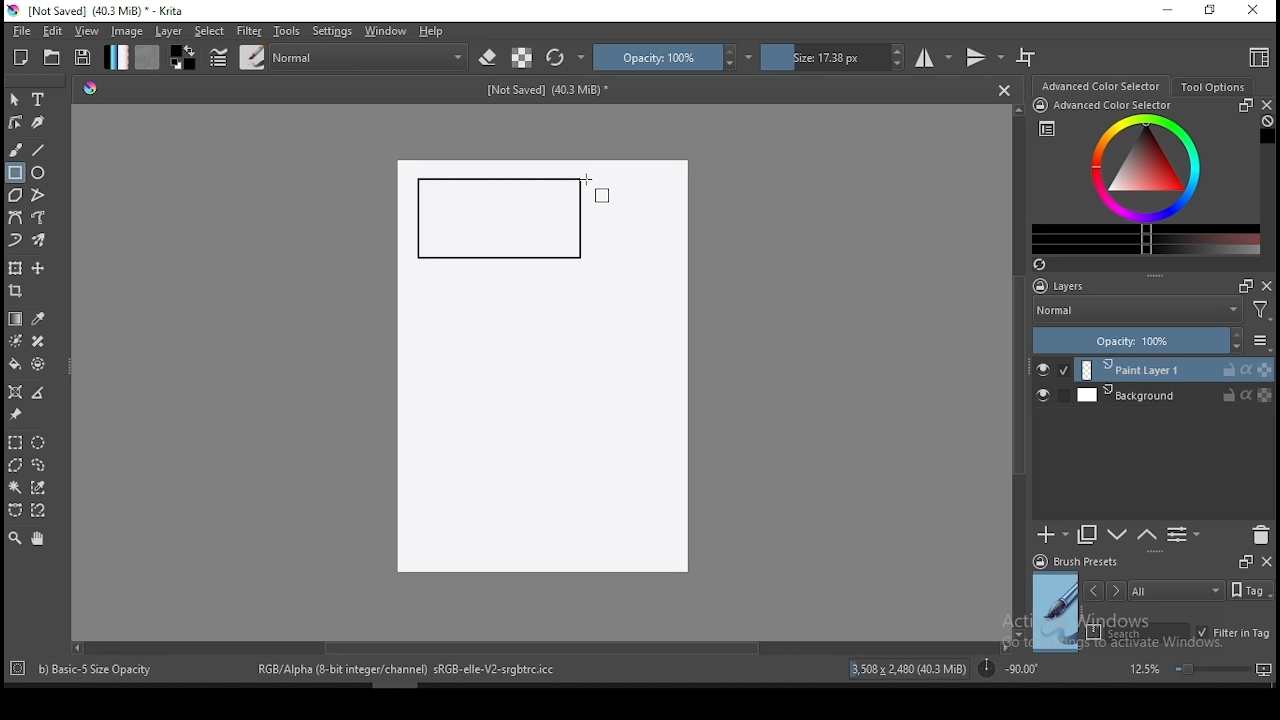  What do you see at coordinates (15, 392) in the screenshot?
I see `assistant tool` at bounding box center [15, 392].